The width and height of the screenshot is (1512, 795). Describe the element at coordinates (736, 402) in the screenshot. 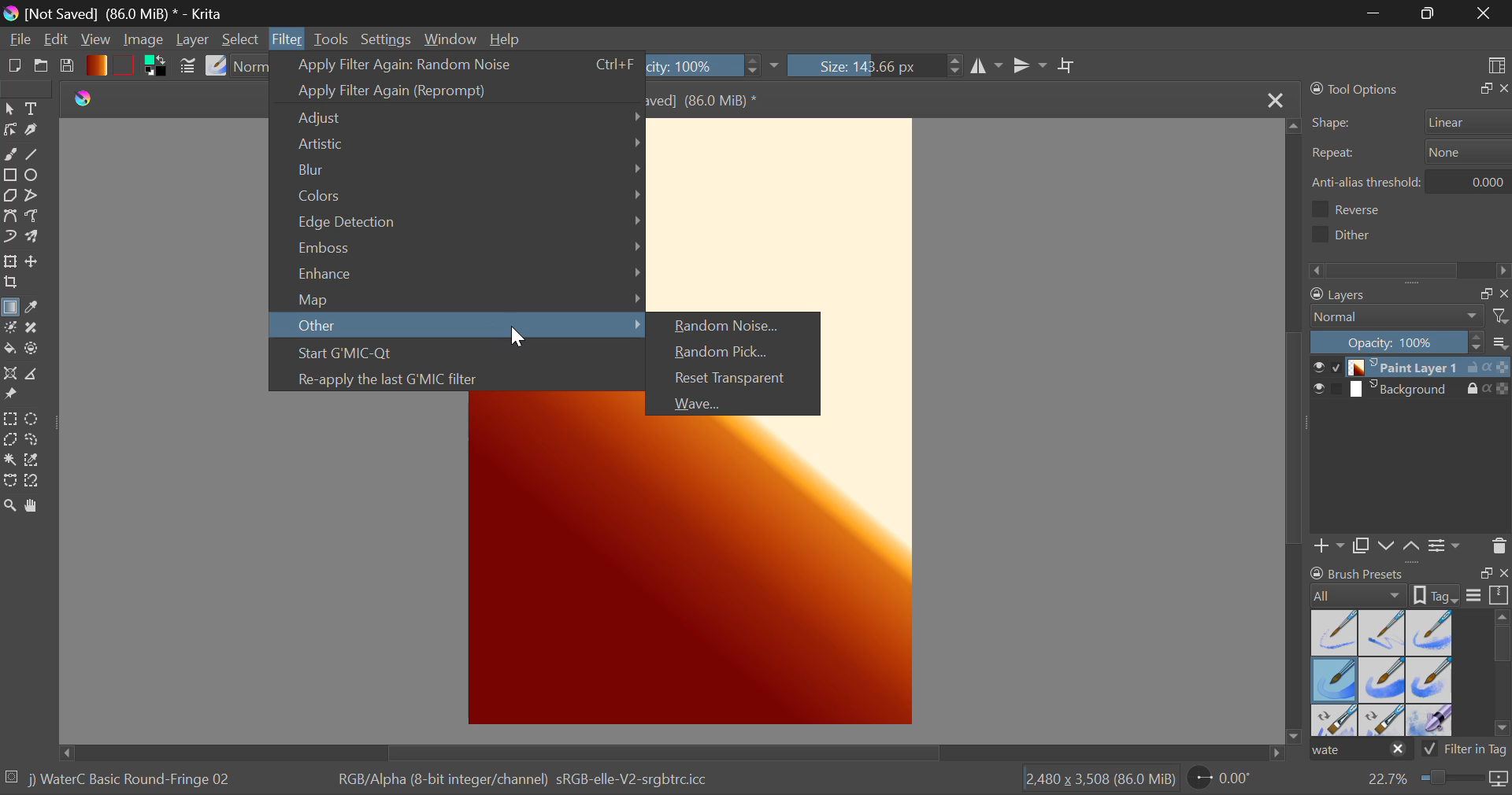

I see `Wave` at that location.